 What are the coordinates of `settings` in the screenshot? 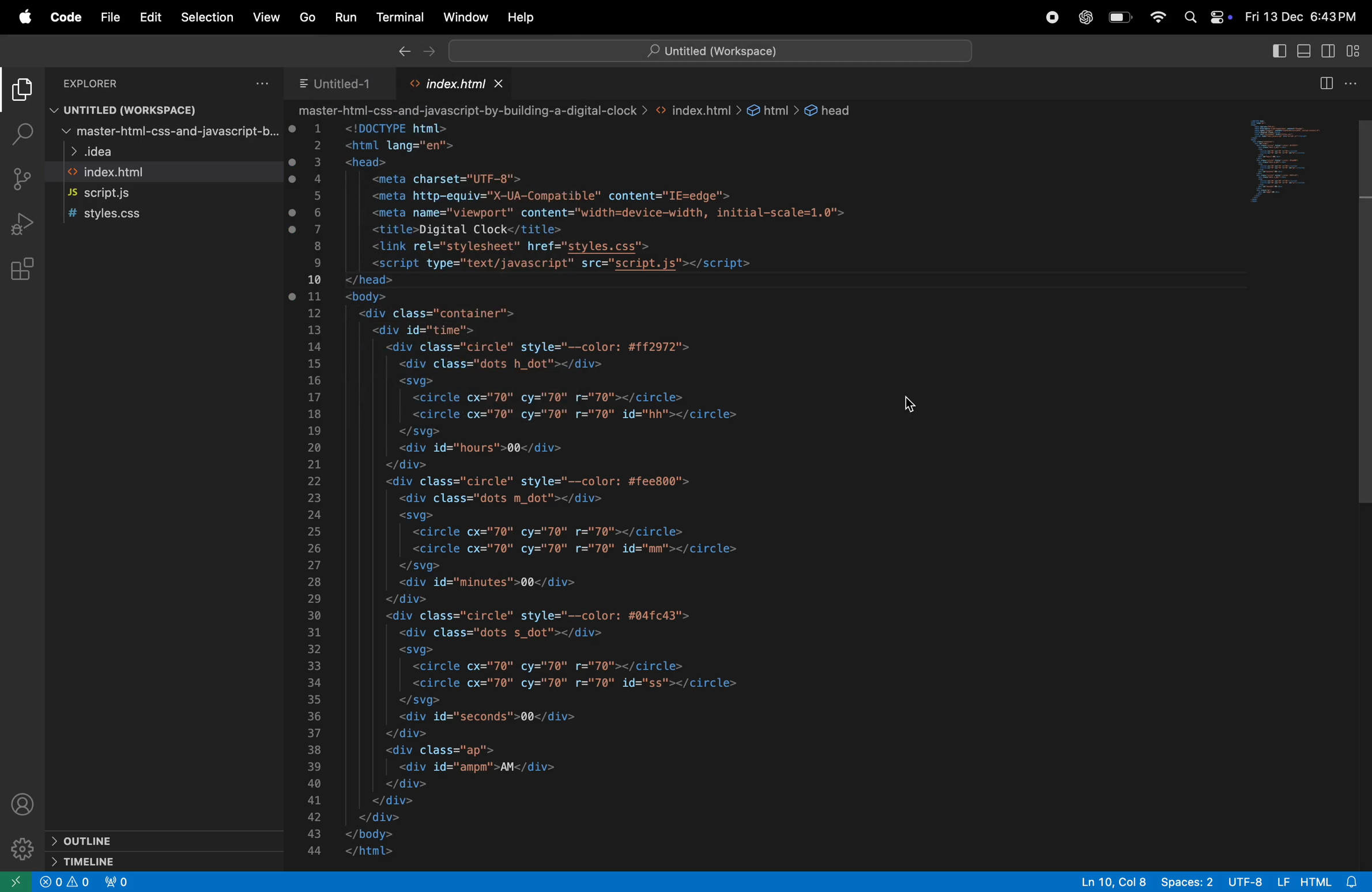 It's located at (21, 849).